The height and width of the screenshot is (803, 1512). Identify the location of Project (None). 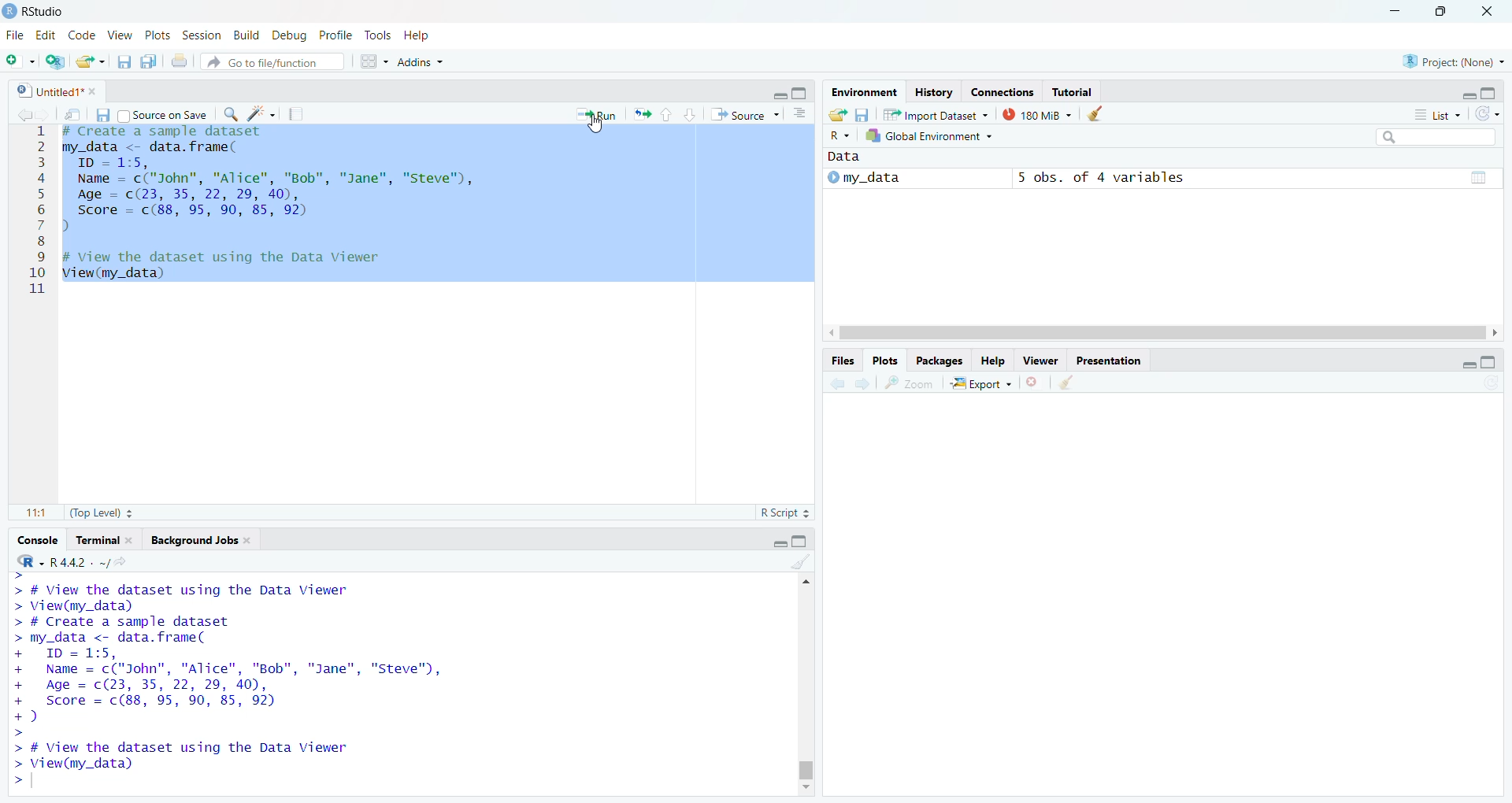
(1454, 62).